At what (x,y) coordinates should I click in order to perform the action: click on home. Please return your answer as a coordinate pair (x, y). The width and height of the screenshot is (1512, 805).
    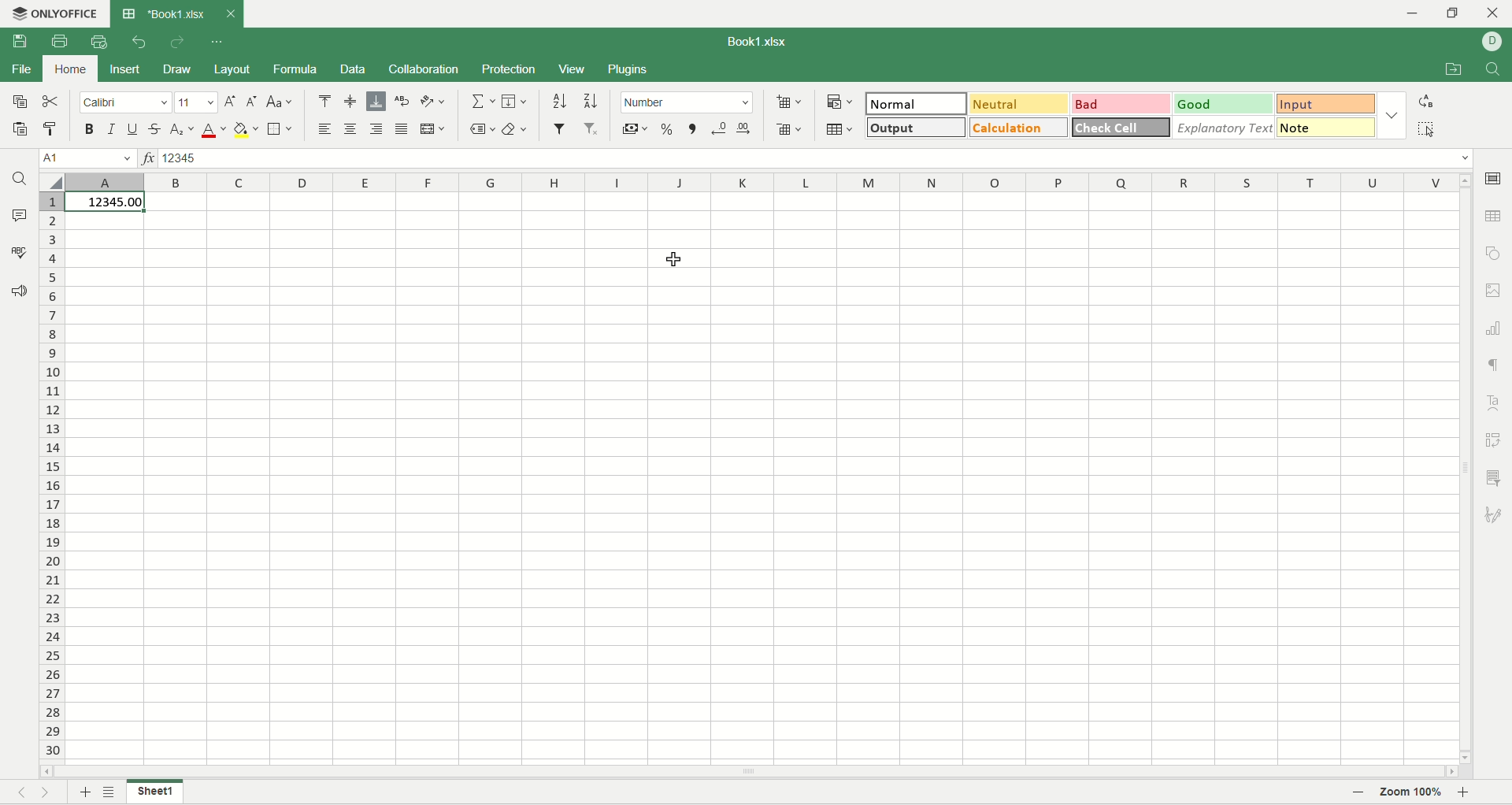
    Looking at the image, I should click on (69, 70).